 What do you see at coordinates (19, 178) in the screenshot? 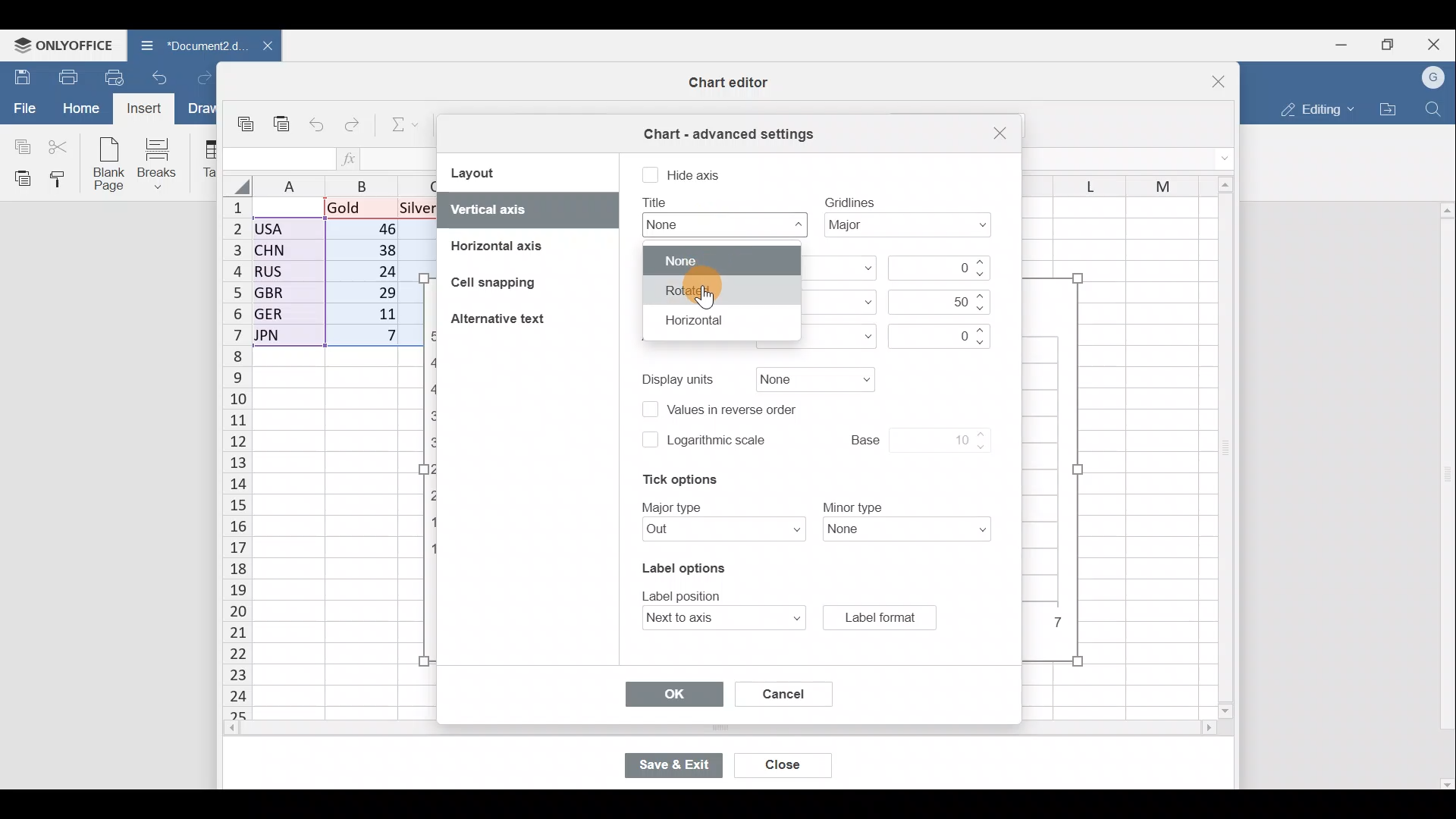
I see `Paste` at bounding box center [19, 178].